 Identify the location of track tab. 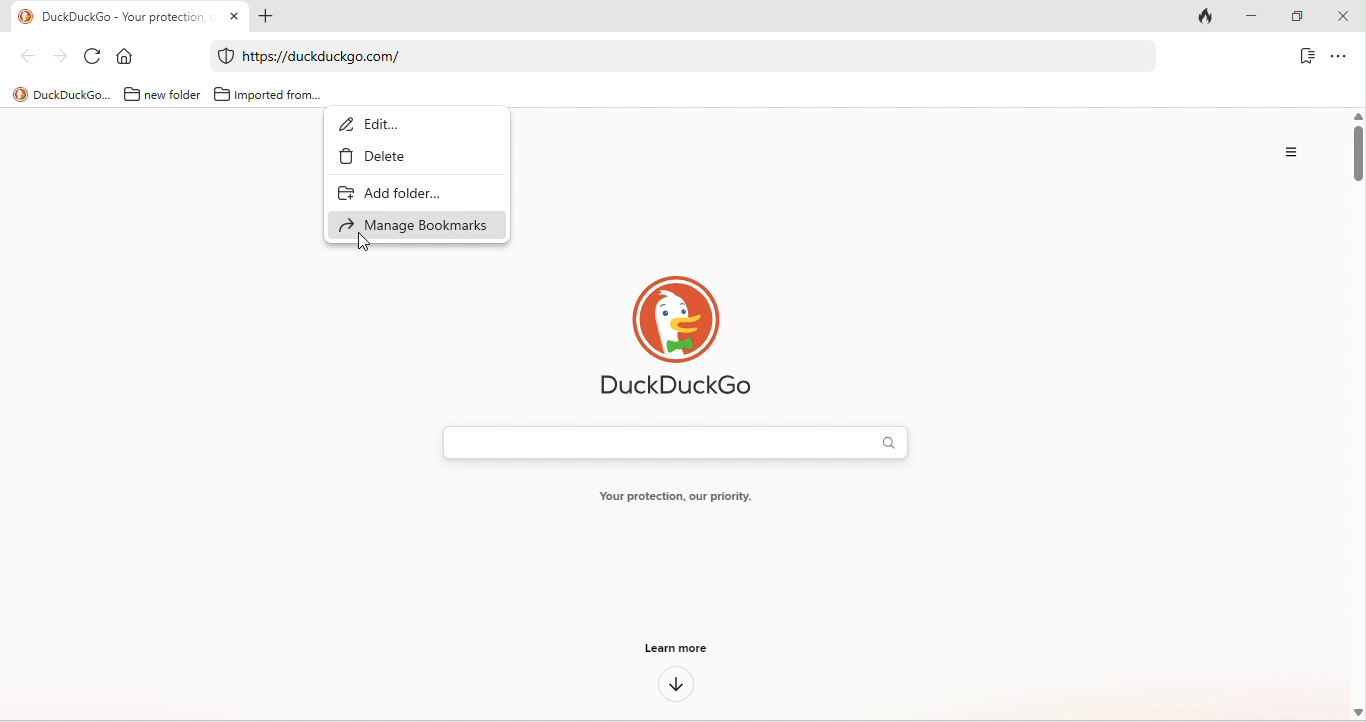
(1211, 15).